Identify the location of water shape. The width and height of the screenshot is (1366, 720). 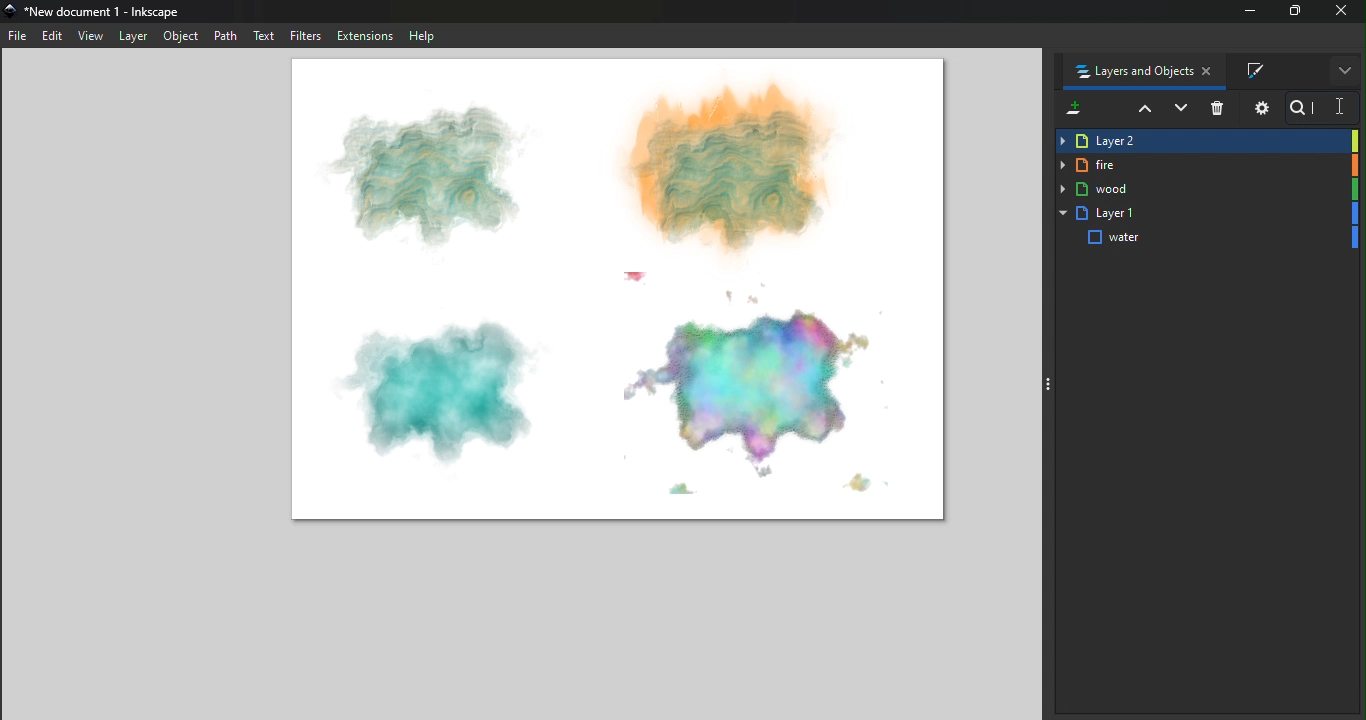
(1208, 238).